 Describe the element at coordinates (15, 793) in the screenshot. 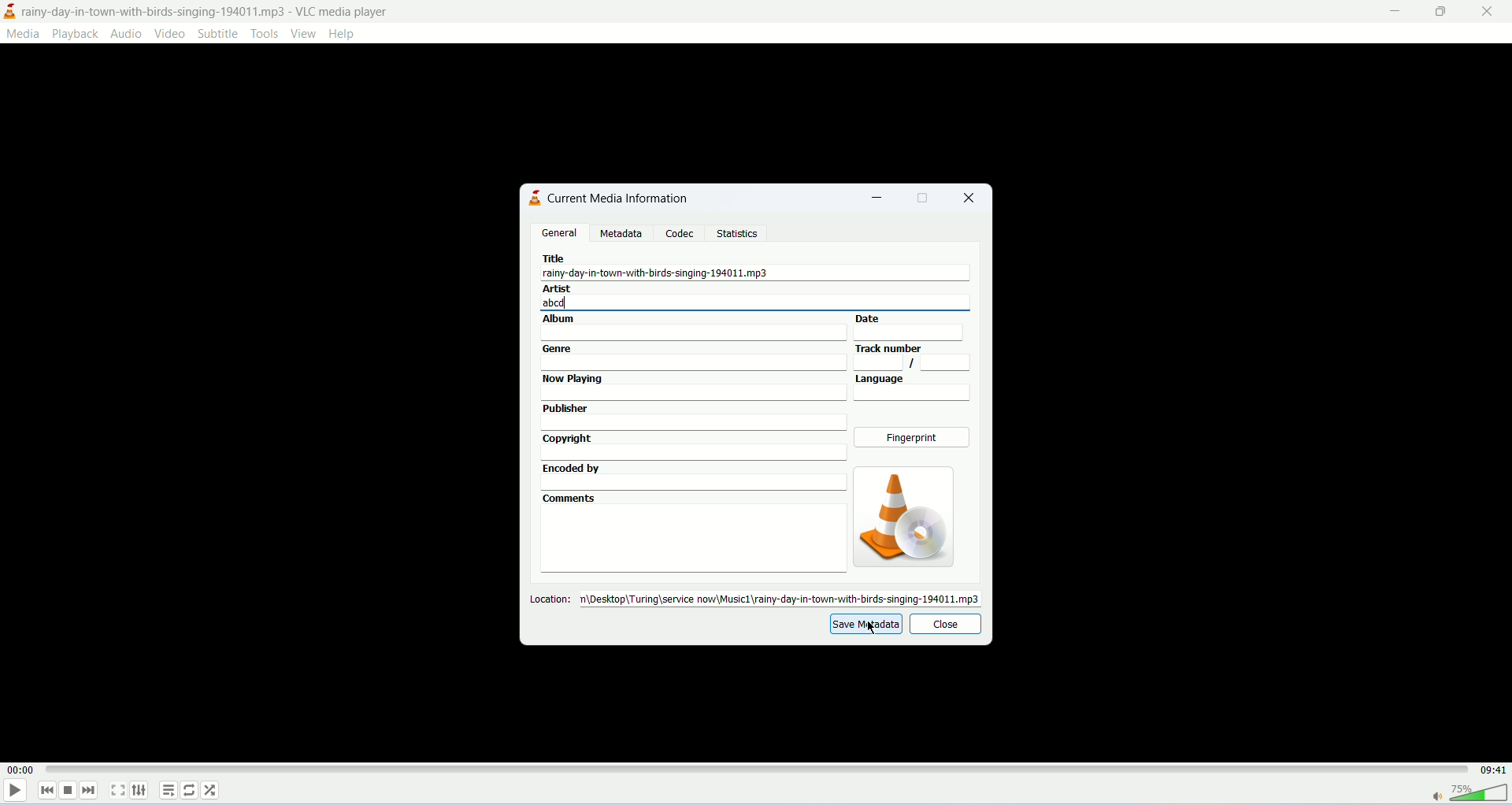

I see `play/pause` at that location.